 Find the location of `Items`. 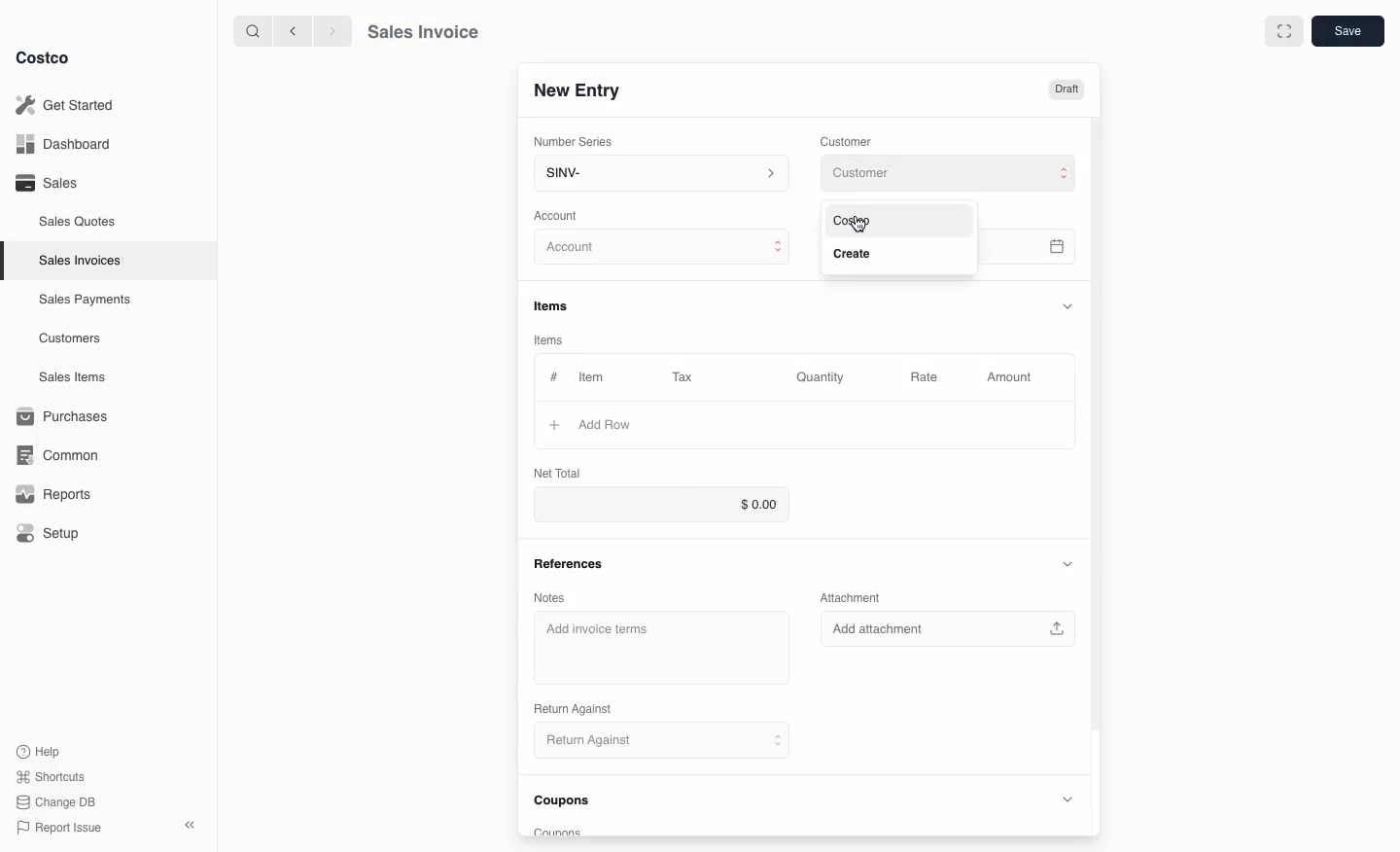

Items is located at coordinates (558, 307).